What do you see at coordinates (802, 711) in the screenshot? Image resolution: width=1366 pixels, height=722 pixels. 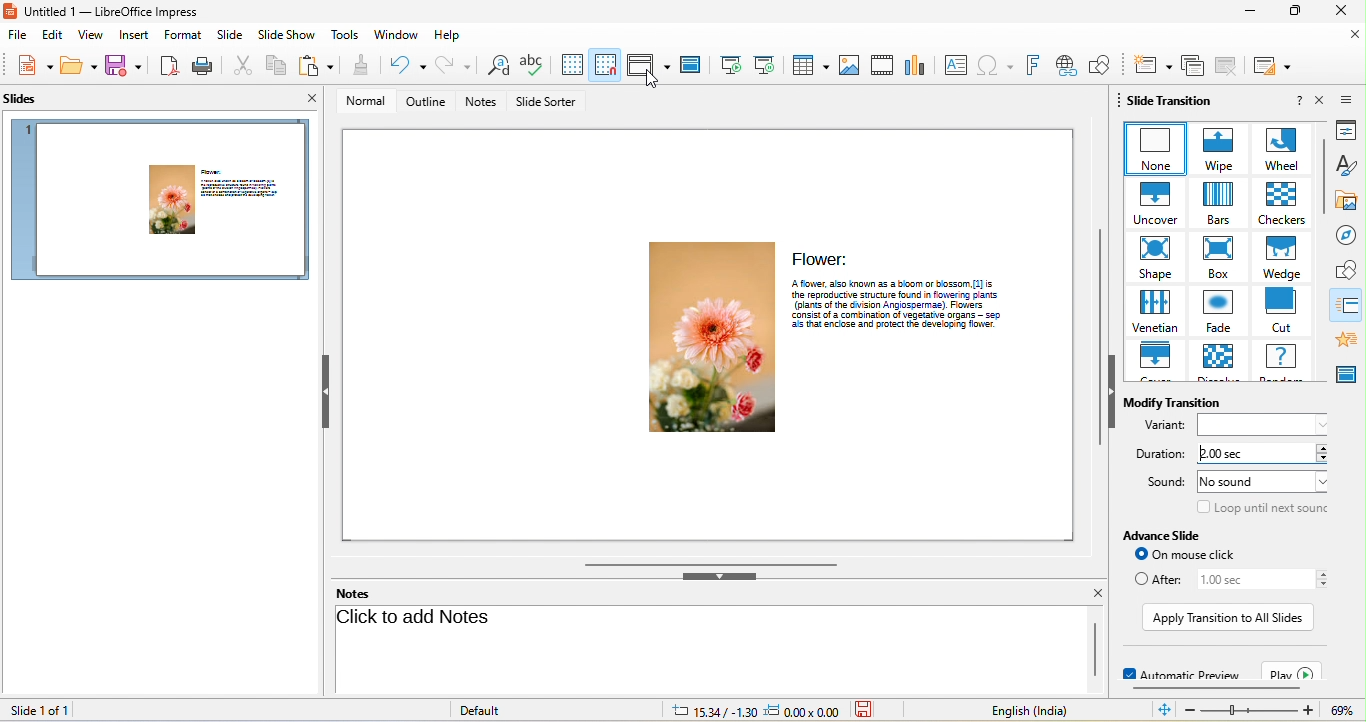 I see `0.00x0.00` at bounding box center [802, 711].